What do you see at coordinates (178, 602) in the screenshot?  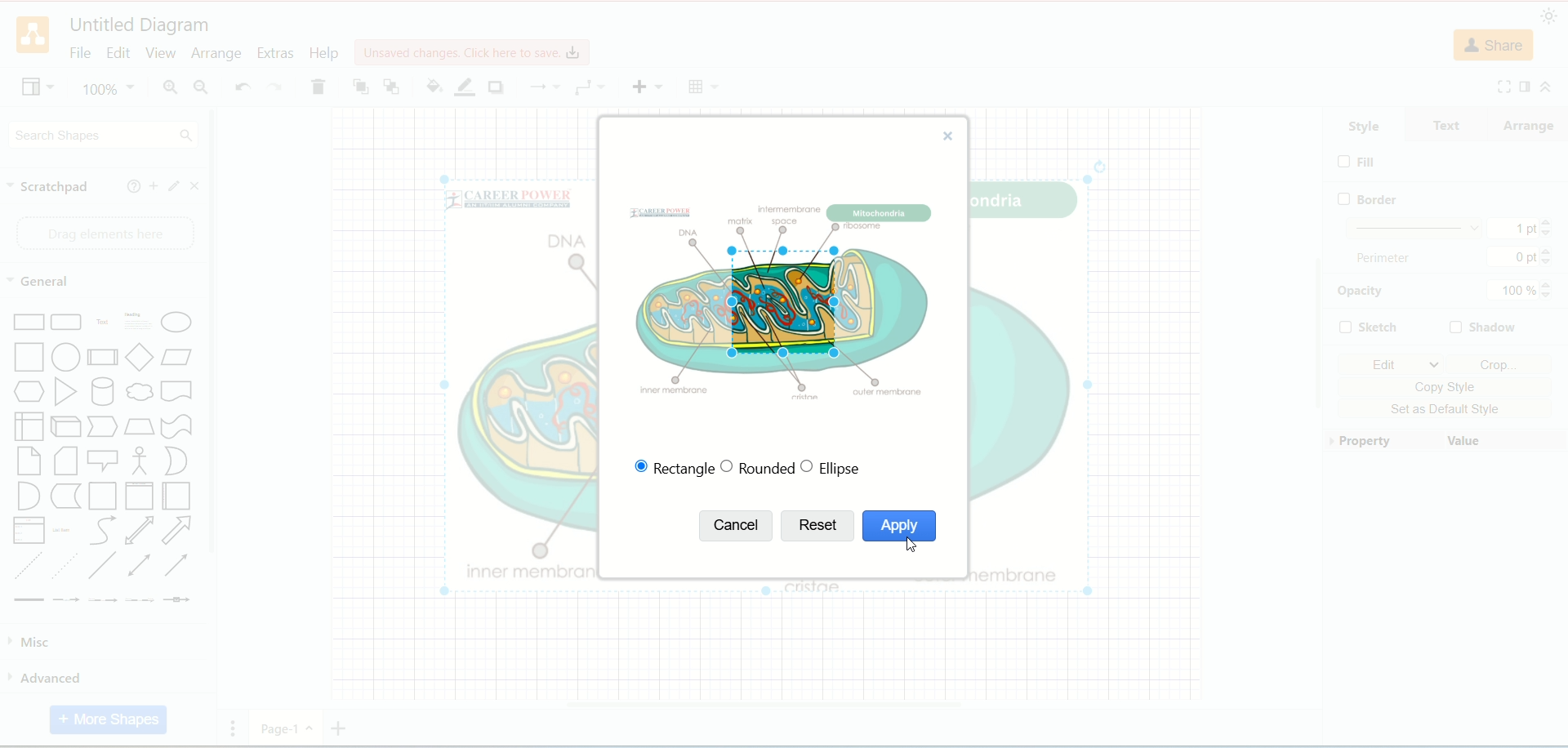 I see `Connector with Icon Symbol` at bounding box center [178, 602].